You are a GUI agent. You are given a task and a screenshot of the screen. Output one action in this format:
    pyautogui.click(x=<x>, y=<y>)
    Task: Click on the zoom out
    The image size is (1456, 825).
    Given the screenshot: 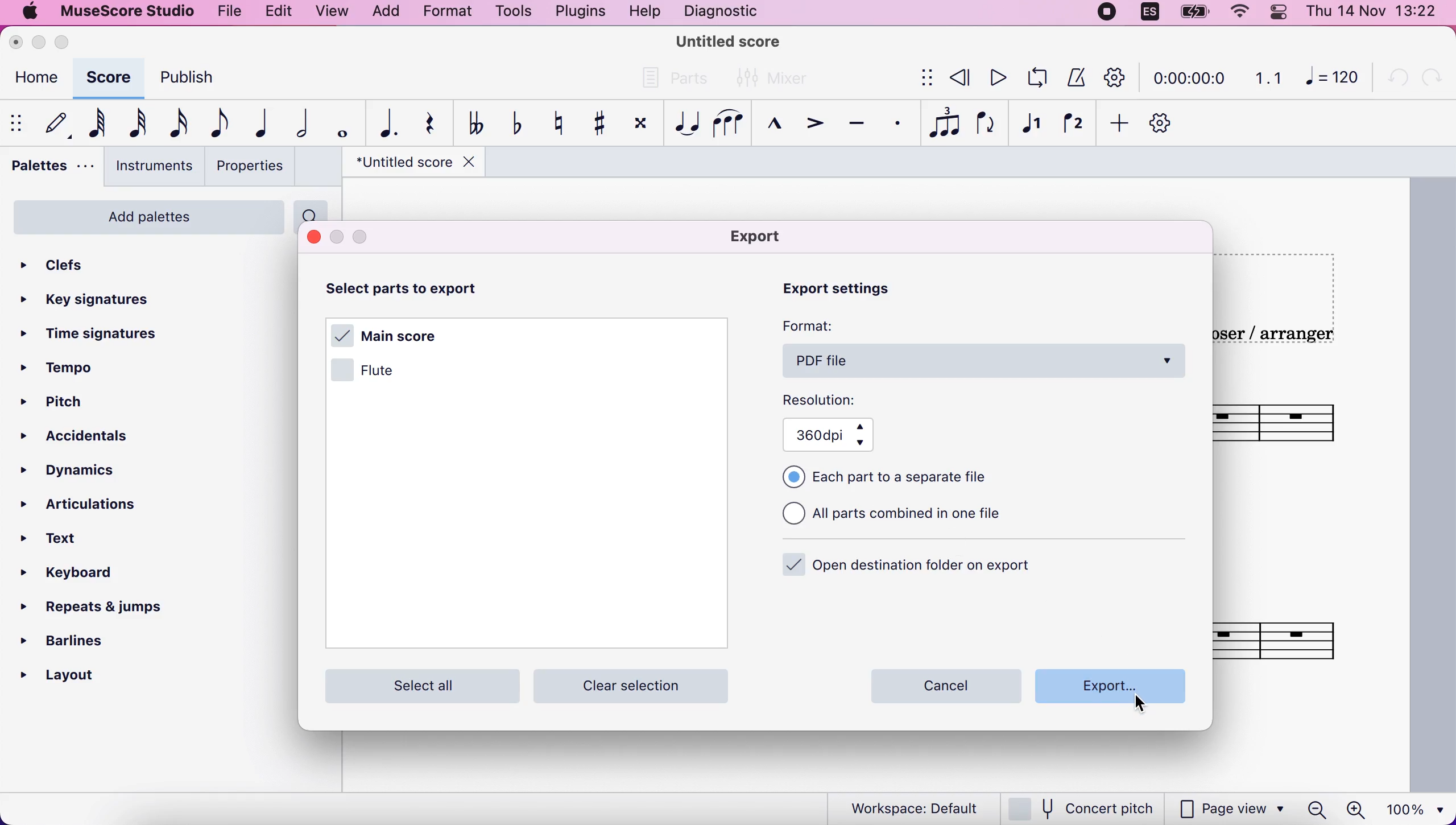 What is the action you would take?
    pyautogui.click(x=1313, y=809)
    